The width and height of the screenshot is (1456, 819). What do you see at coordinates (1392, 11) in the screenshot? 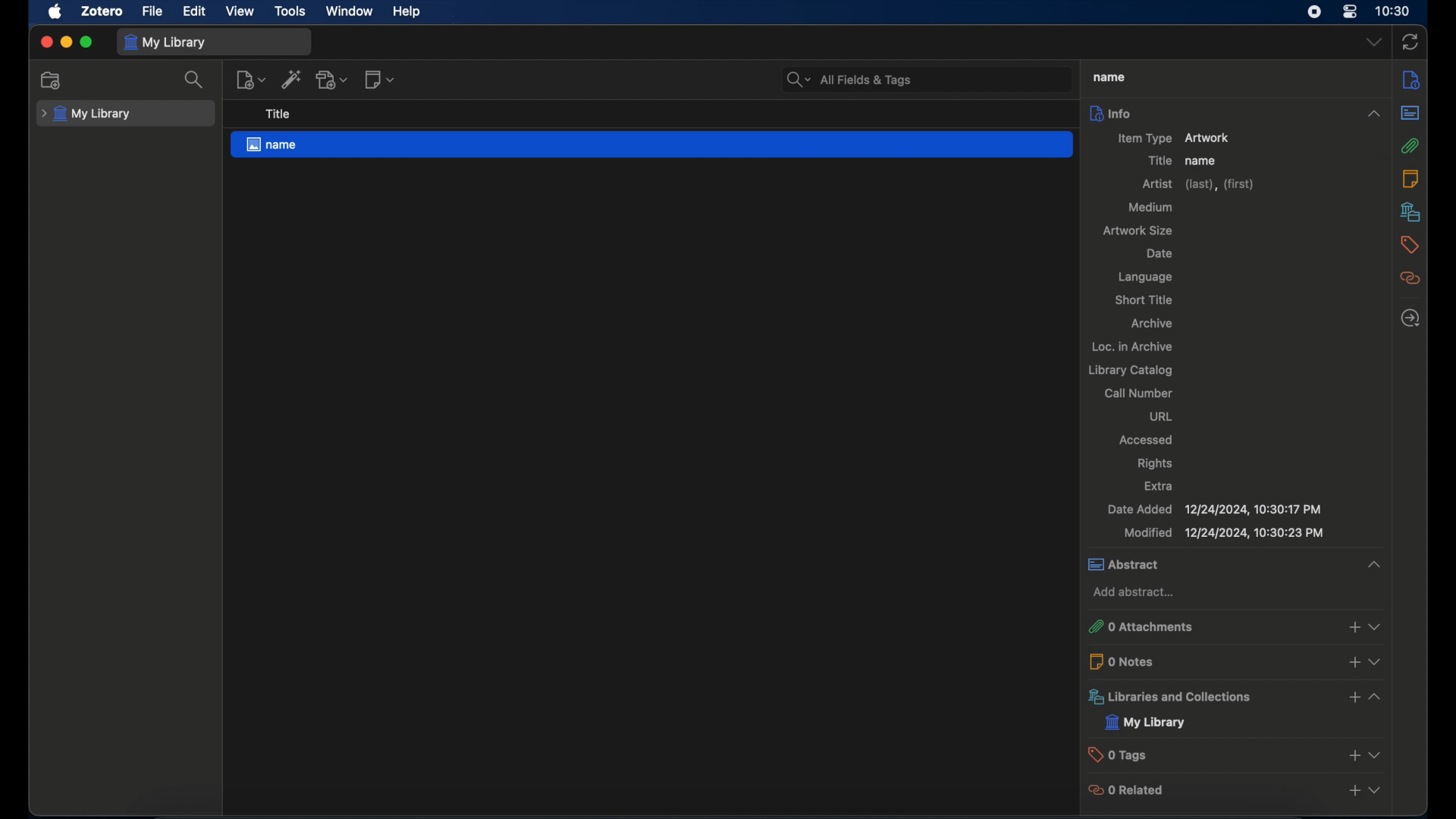
I see `time` at bounding box center [1392, 11].